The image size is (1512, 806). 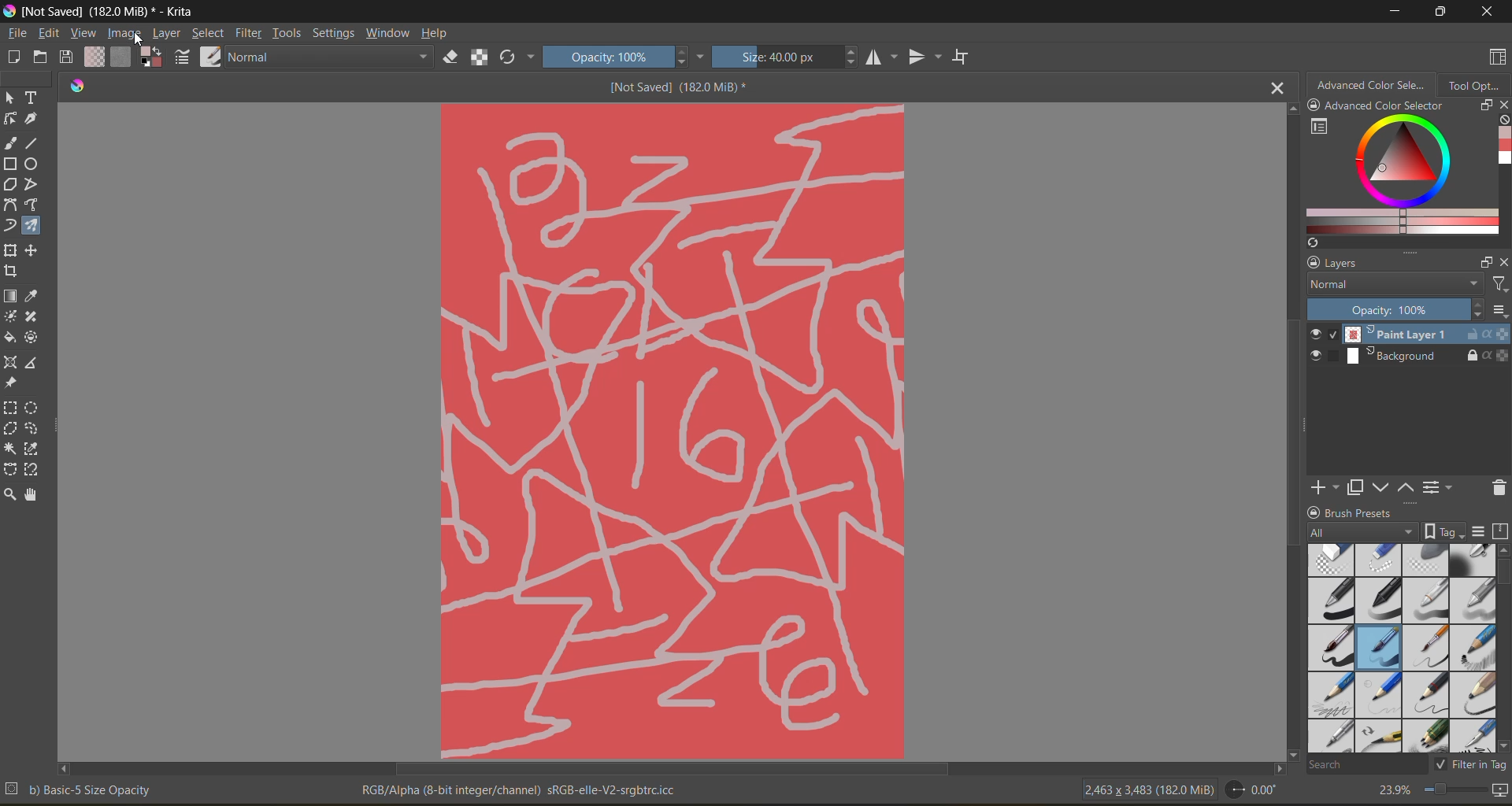 What do you see at coordinates (210, 59) in the screenshot?
I see `choose brush preset` at bounding box center [210, 59].